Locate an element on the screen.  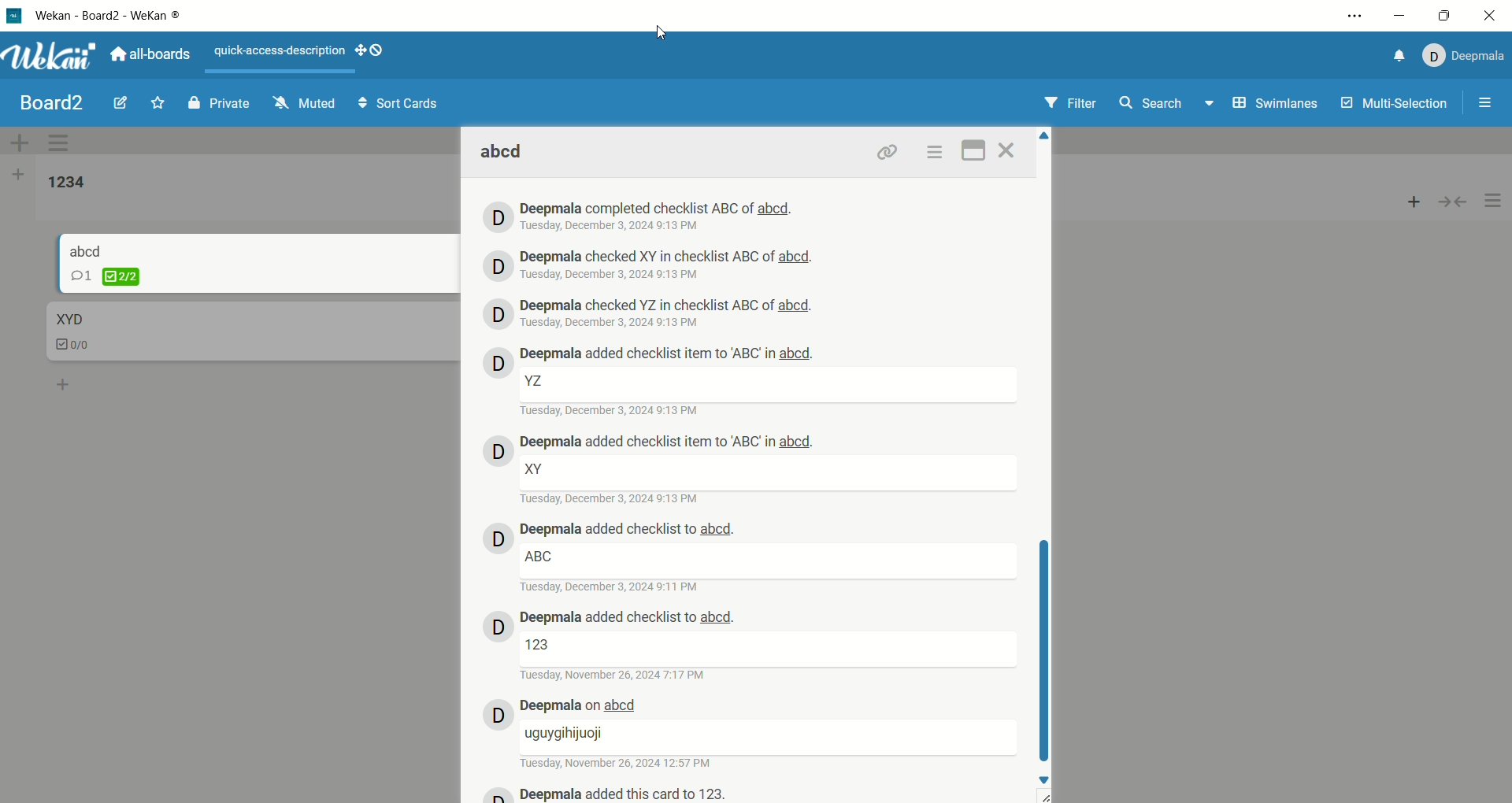
options is located at coordinates (1357, 16).